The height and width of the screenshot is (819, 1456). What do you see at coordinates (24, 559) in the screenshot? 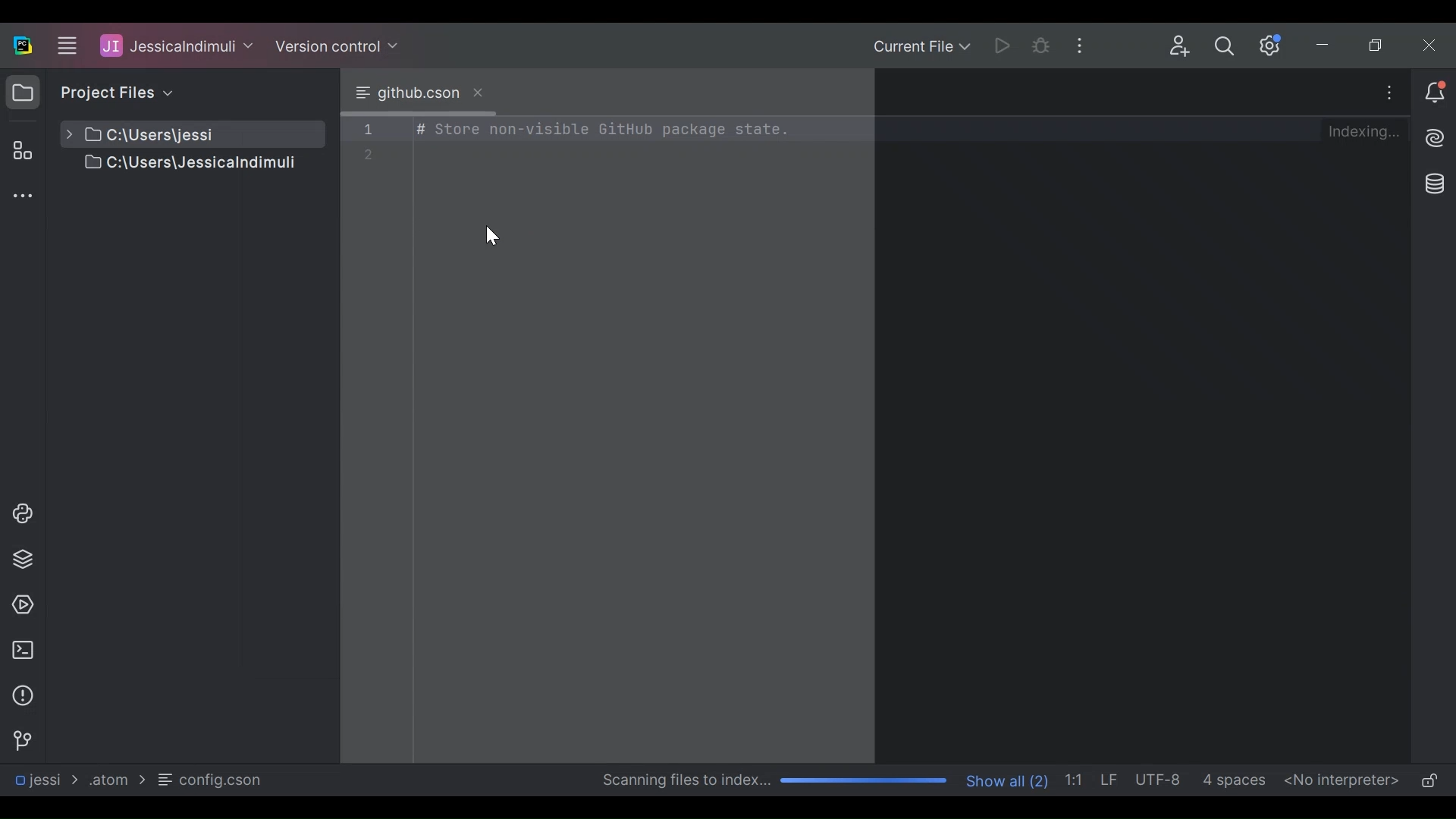
I see `Python` at bounding box center [24, 559].